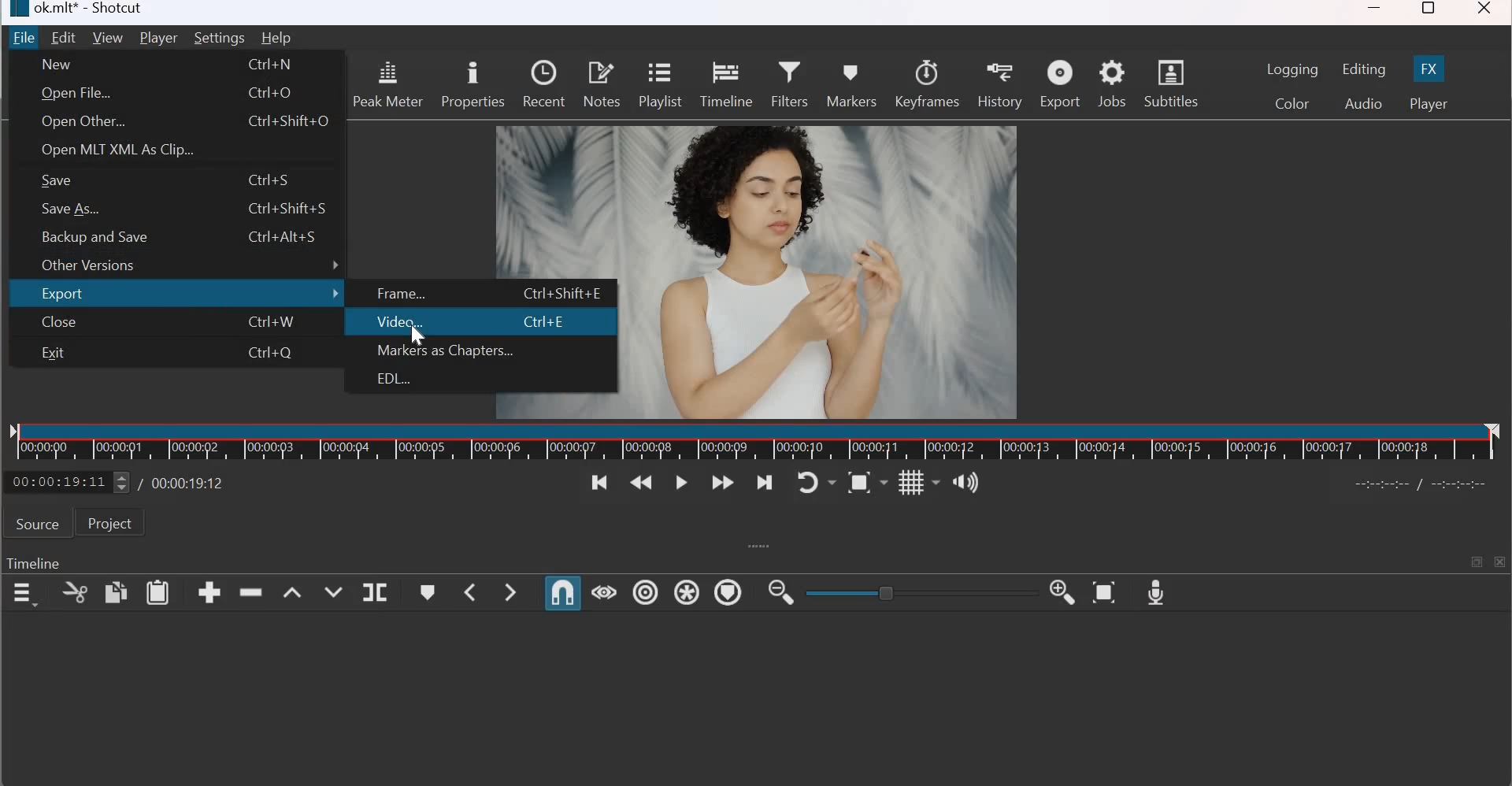  What do you see at coordinates (1428, 104) in the screenshot?
I see `Player` at bounding box center [1428, 104].